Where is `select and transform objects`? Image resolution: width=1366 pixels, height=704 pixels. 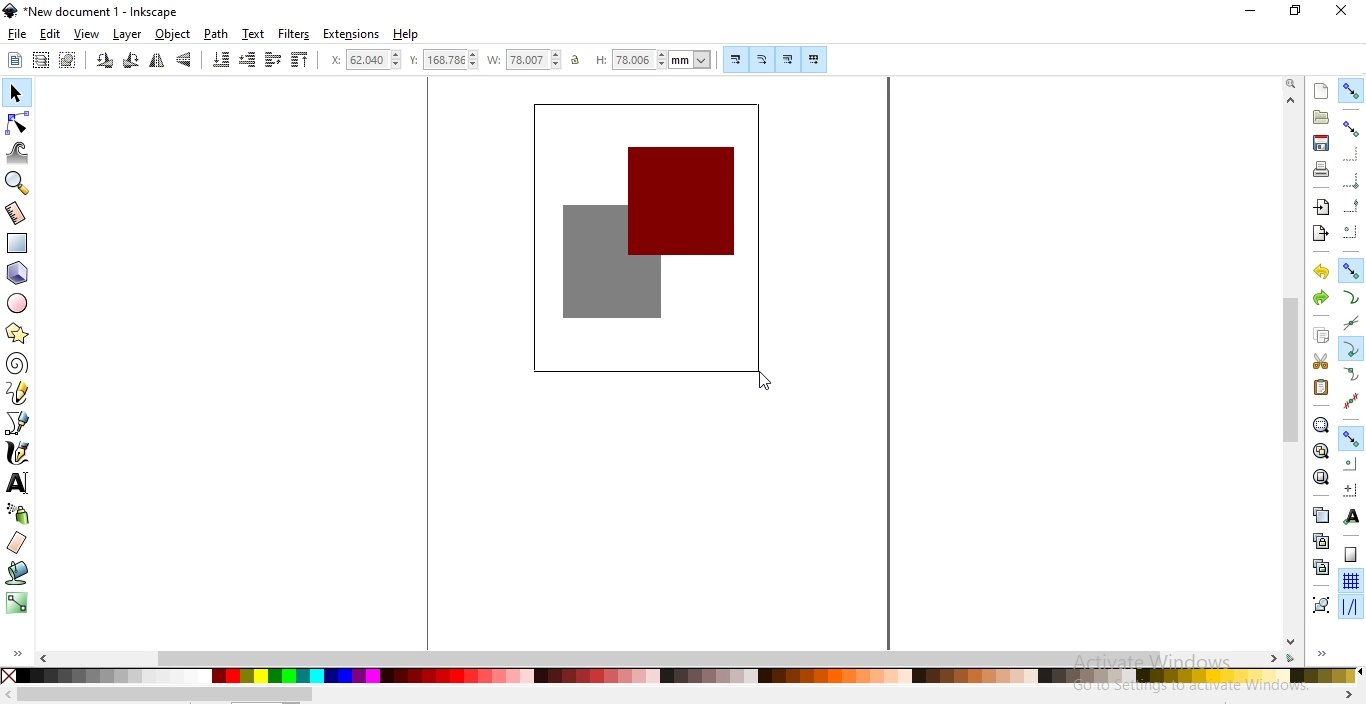 select and transform objects is located at coordinates (16, 95).